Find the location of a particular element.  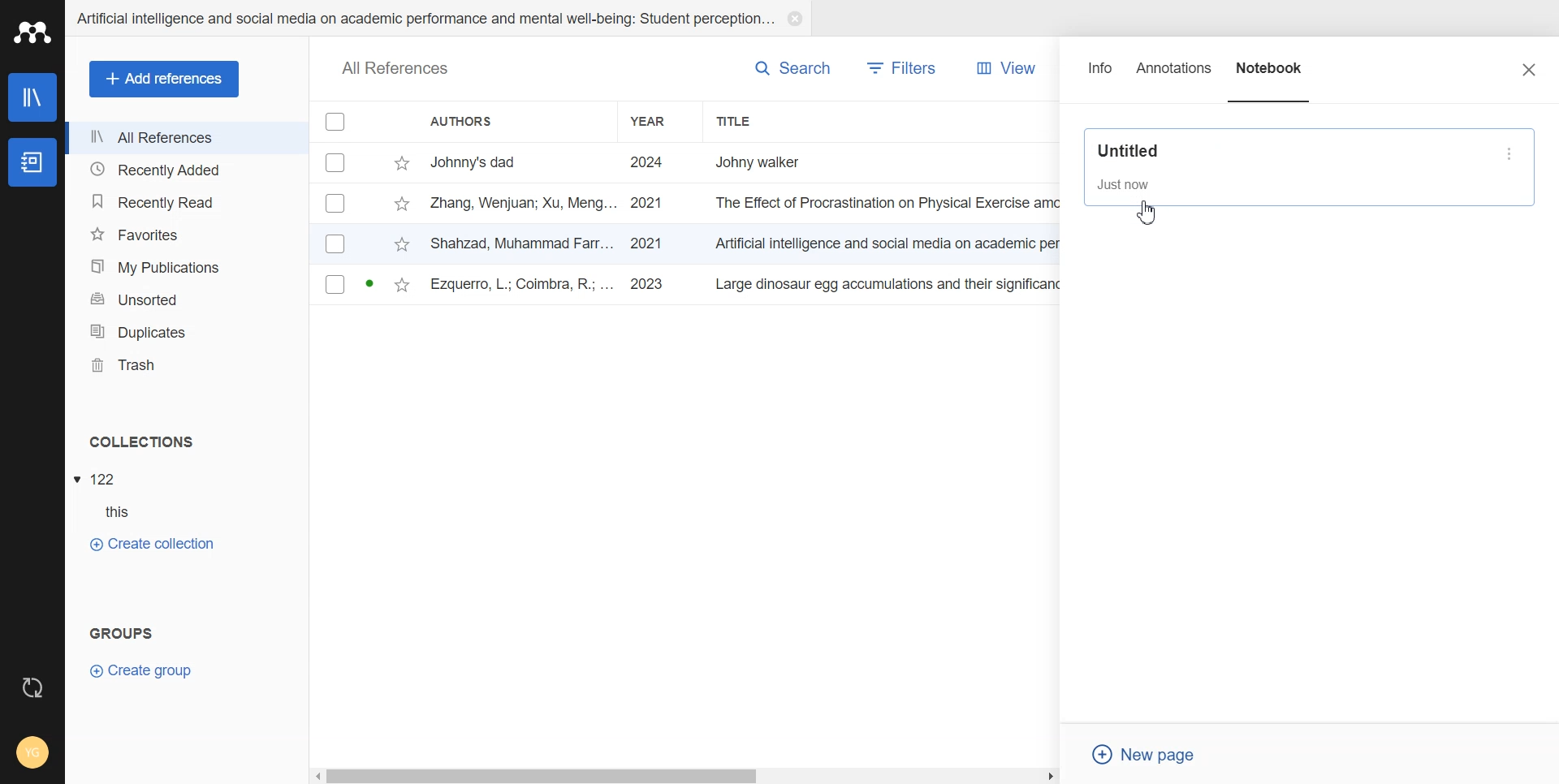

122 is located at coordinates (105, 480).